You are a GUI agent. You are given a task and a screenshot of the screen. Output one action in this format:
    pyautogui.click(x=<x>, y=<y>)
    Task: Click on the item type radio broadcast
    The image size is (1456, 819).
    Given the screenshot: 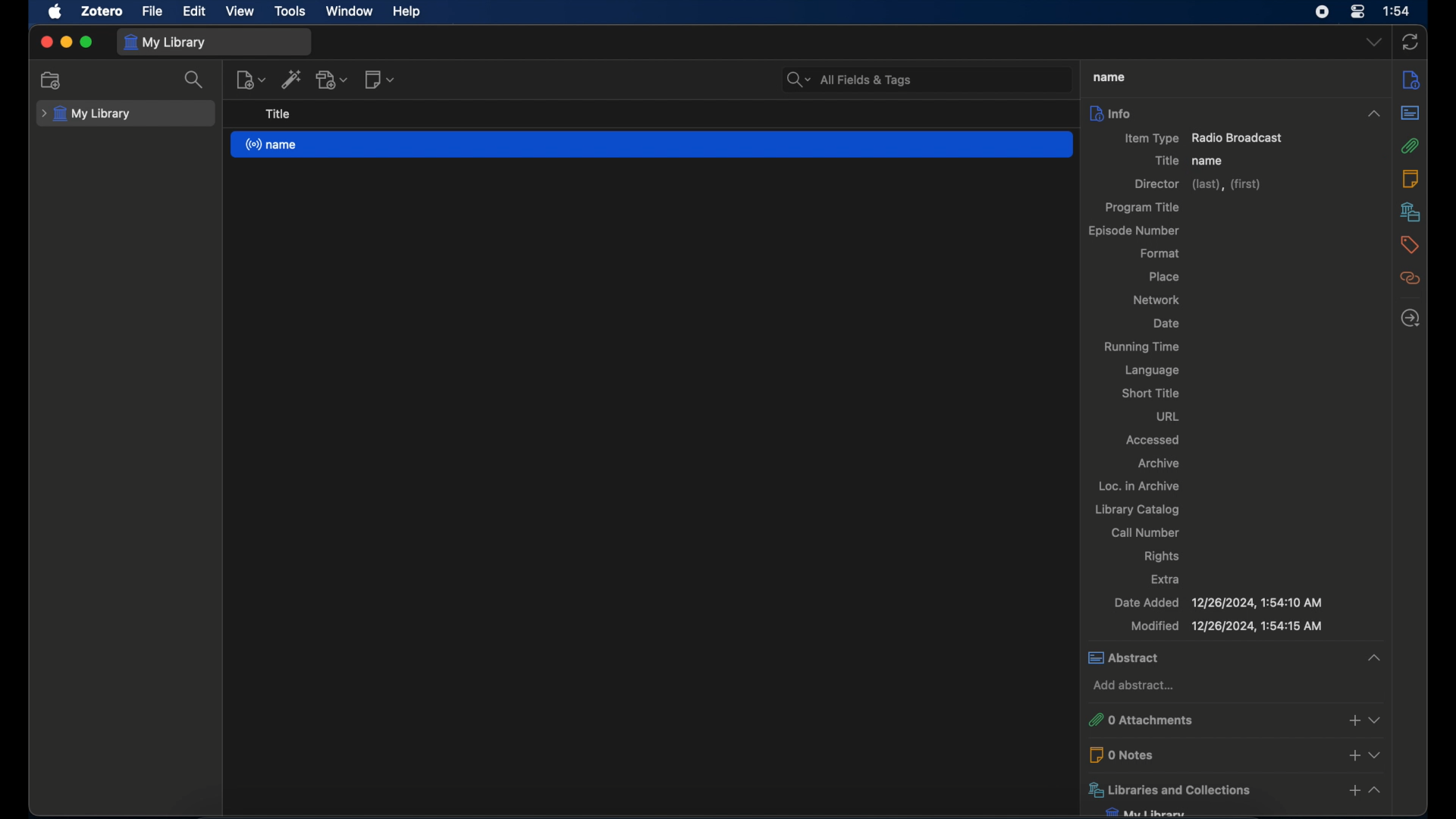 What is the action you would take?
    pyautogui.click(x=1203, y=139)
    